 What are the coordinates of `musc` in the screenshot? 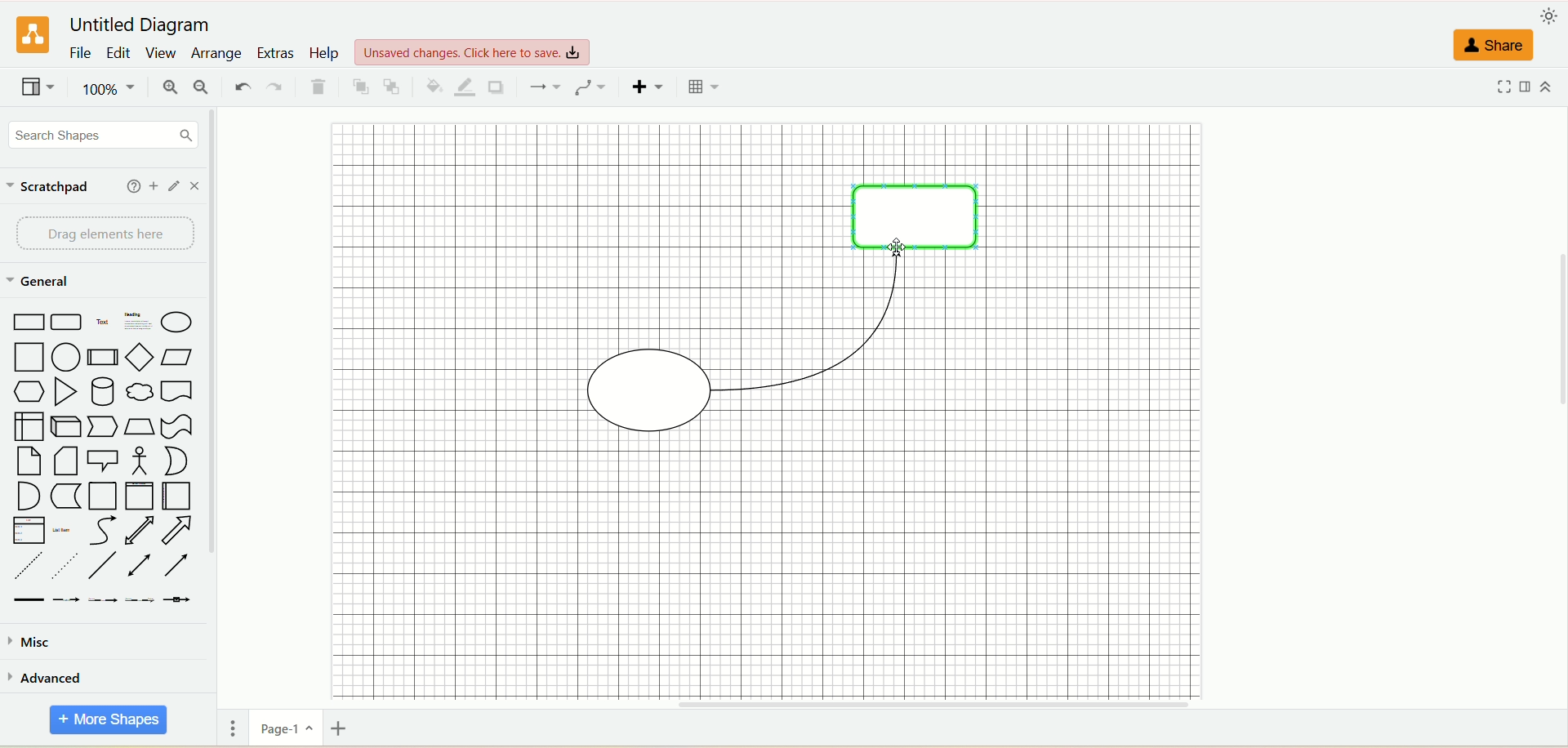 It's located at (28, 641).